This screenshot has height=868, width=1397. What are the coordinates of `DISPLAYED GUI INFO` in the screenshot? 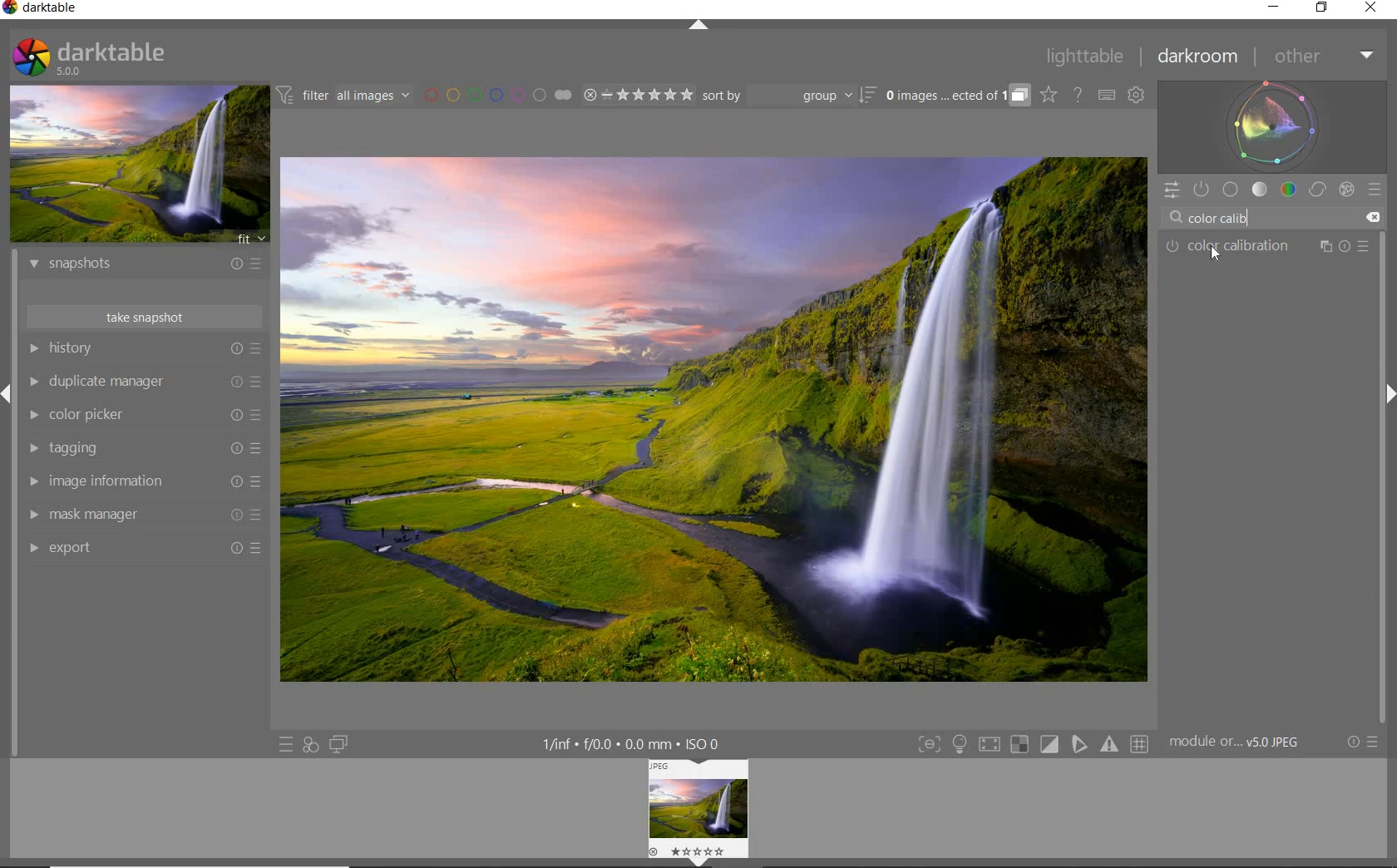 It's located at (635, 743).